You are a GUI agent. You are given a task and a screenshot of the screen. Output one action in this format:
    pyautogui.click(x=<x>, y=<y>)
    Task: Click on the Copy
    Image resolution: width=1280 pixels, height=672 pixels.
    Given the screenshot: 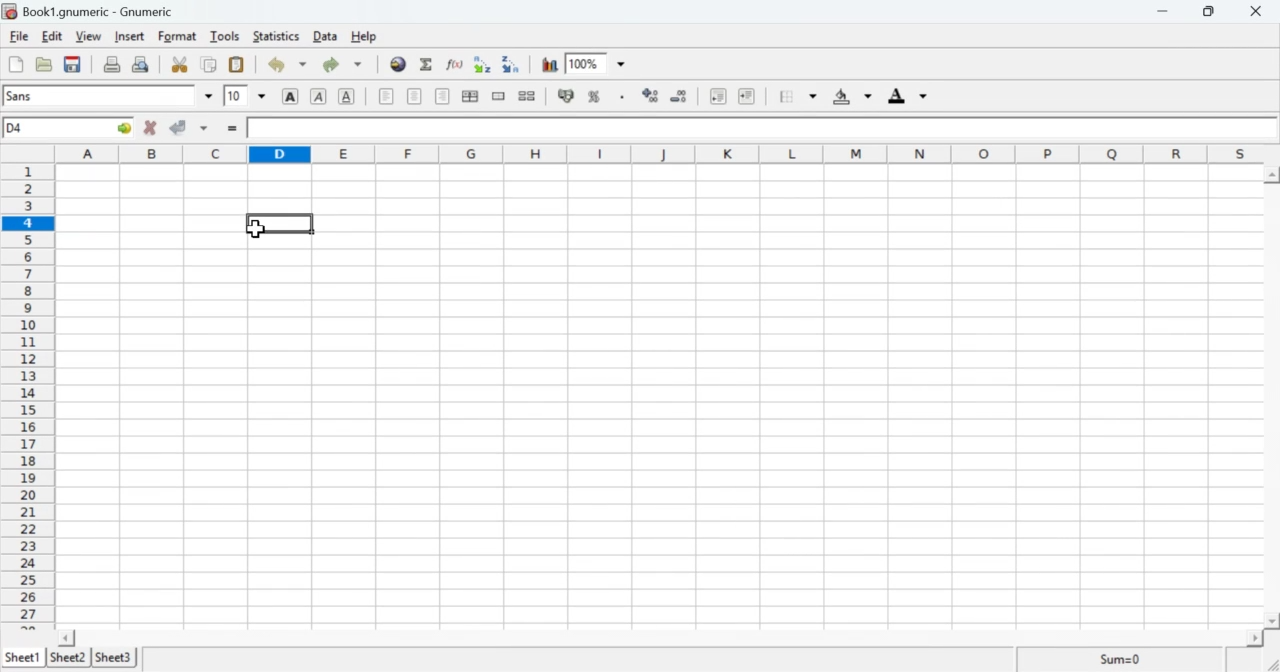 What is the action you would take?
    pyautogui.click(x=209, y=65)
    